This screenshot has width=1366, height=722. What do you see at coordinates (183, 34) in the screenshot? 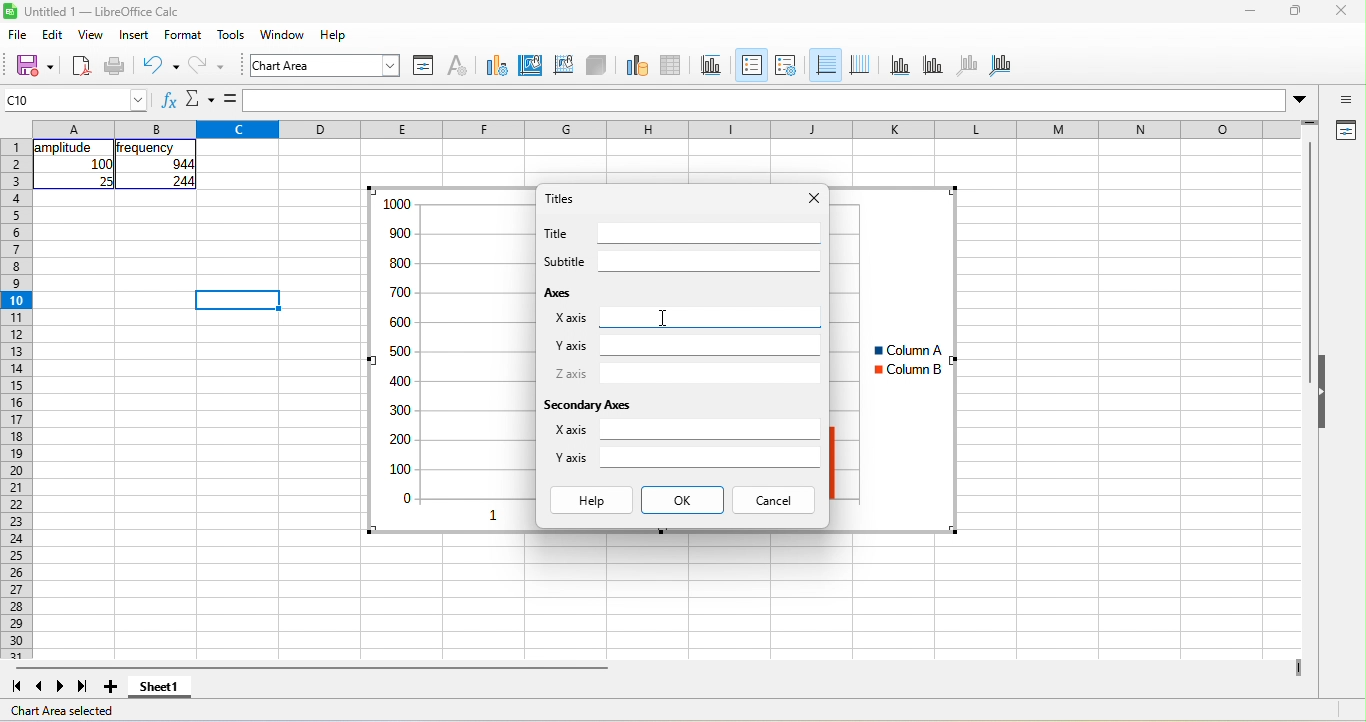
I see `format` at bounding box center [183, 34].